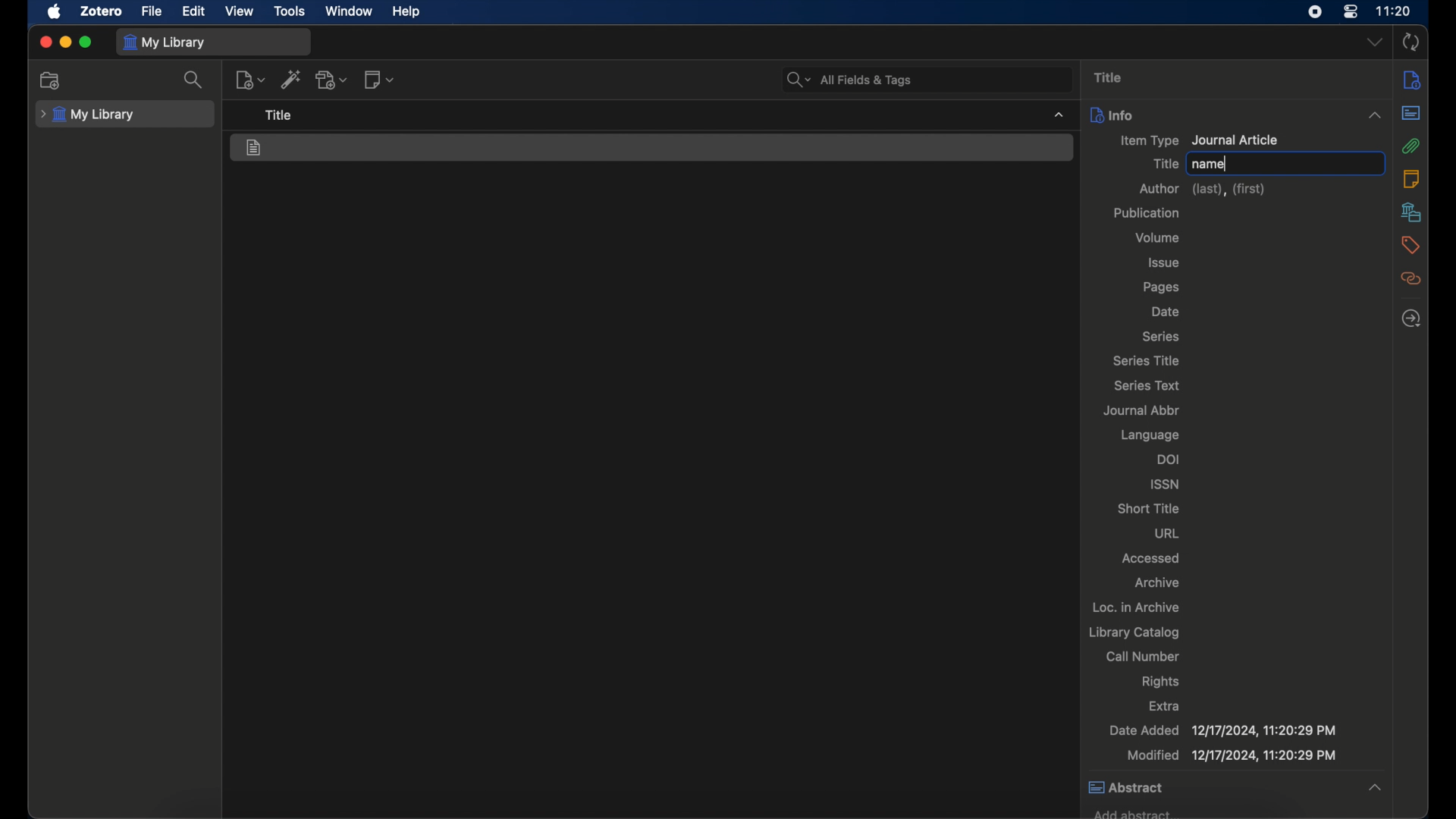 The width and height of the screenshot is (1456, 819). Describe the element at coordinates (1351, 12) in the screenshot. I see `control center` at that location.